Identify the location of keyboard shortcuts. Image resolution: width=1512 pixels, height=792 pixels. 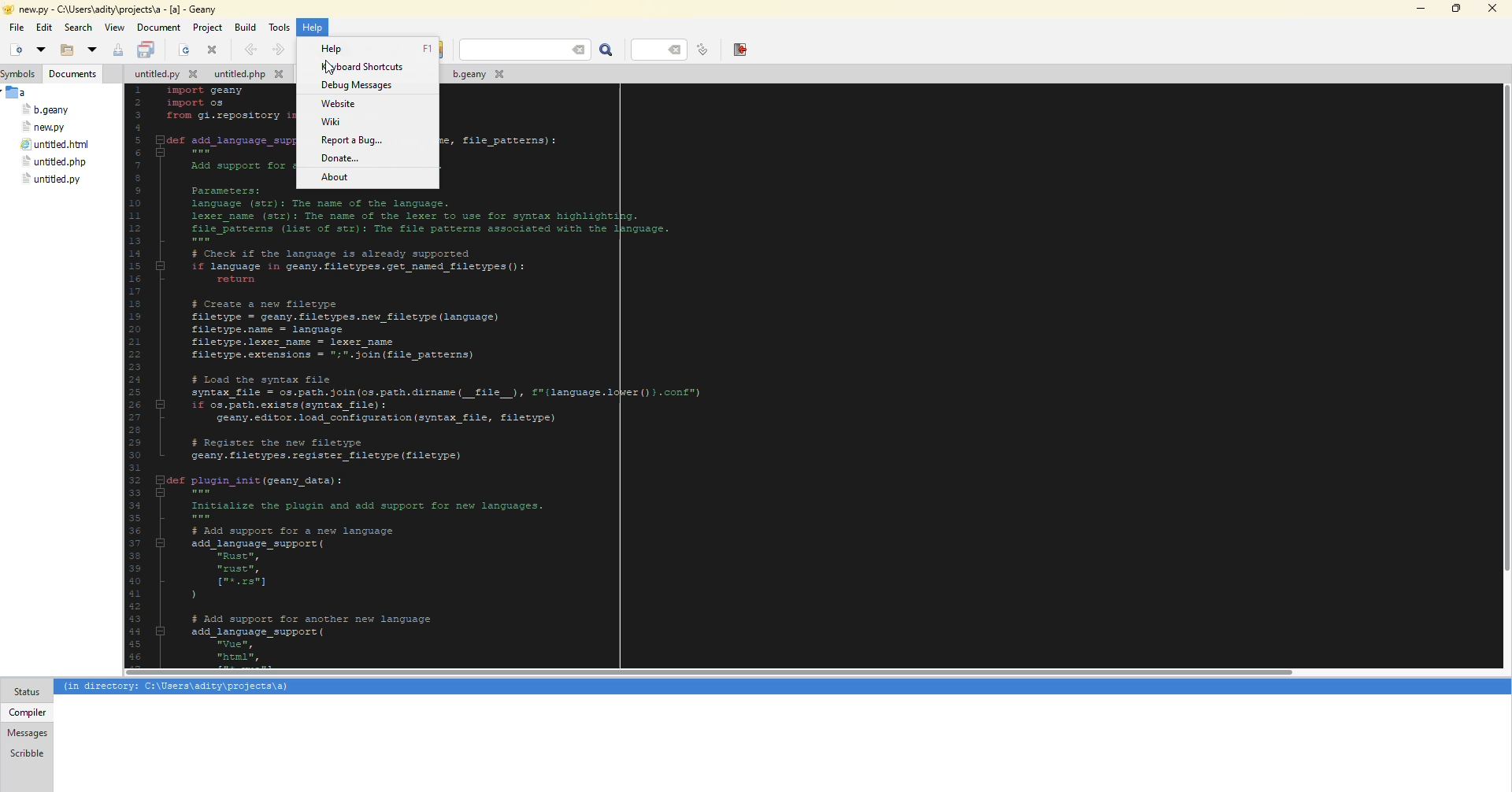
(366, 66).